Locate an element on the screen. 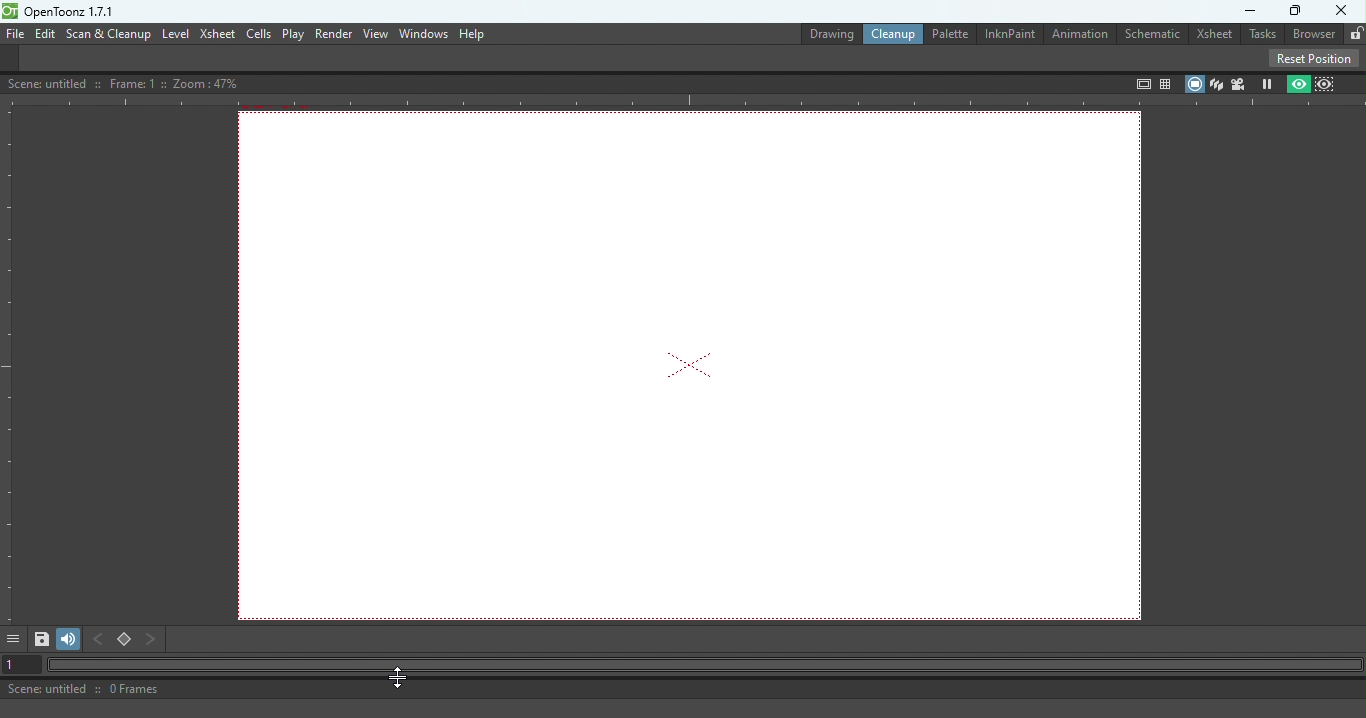  Browser is located at coordinates (1310, 34).